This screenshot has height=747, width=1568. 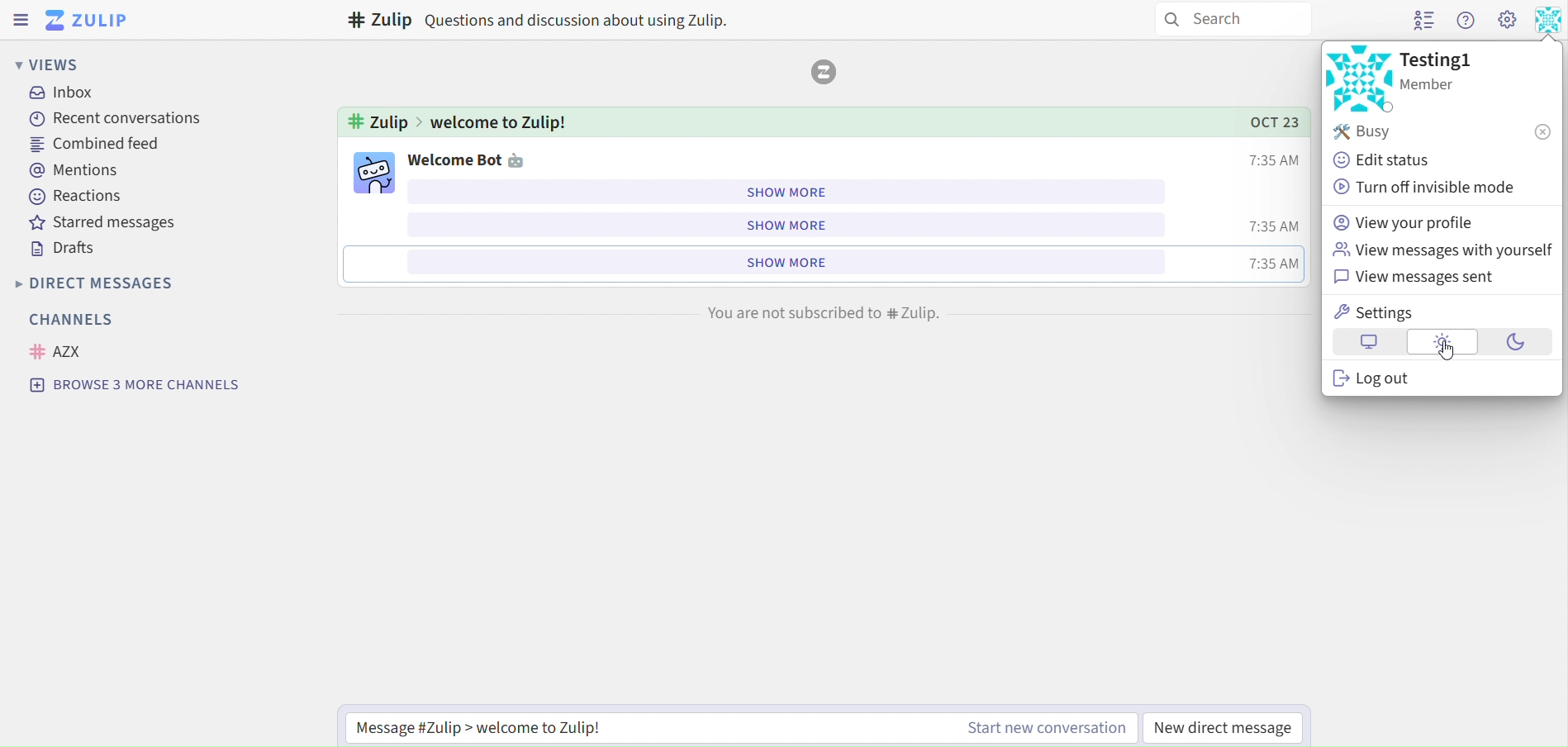 I want to click on #Zulip Questions and discussion about using Zulip., so click(x=544, y=21).